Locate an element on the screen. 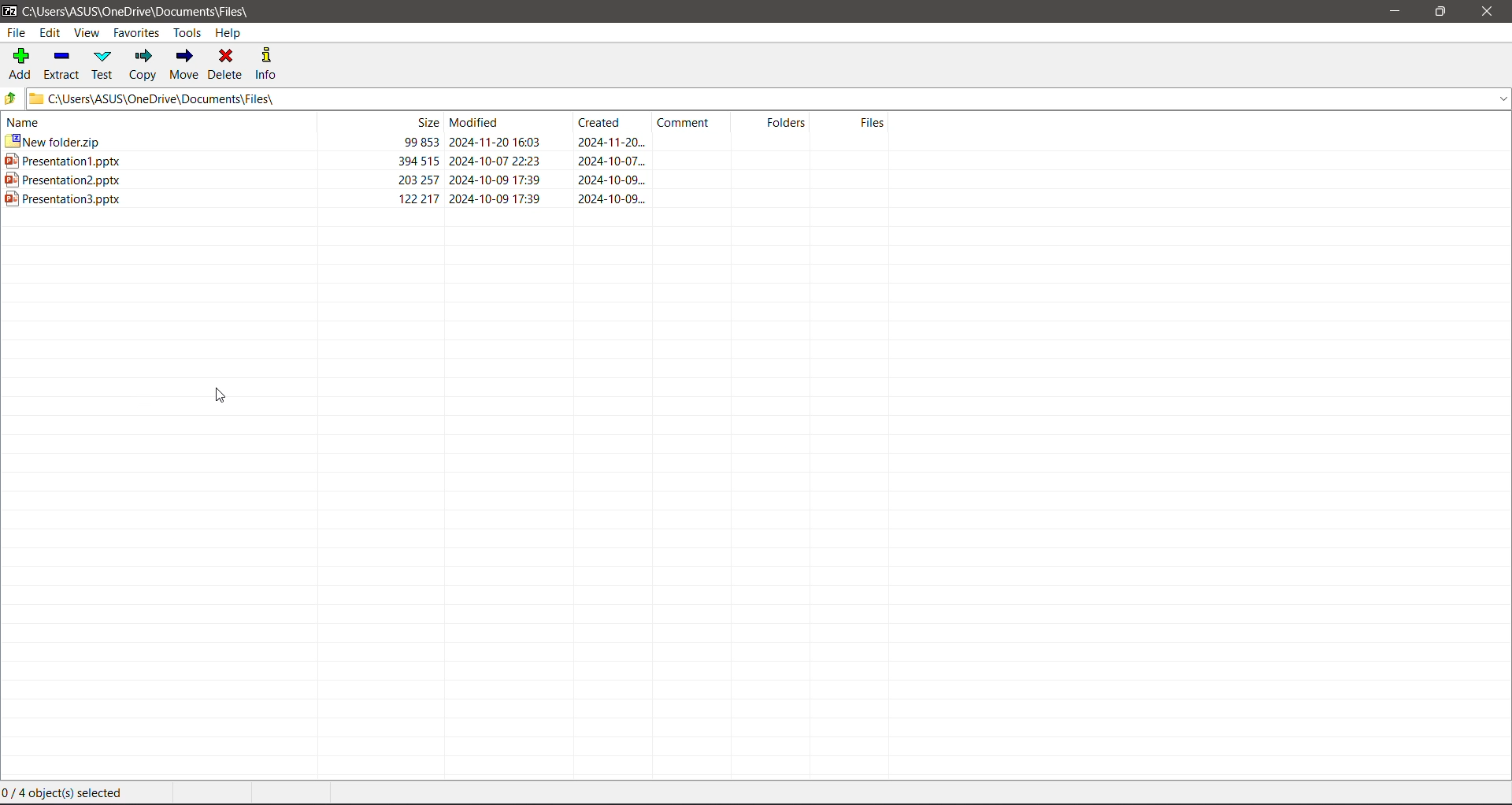  Extract is located at coordinates (65, 65).